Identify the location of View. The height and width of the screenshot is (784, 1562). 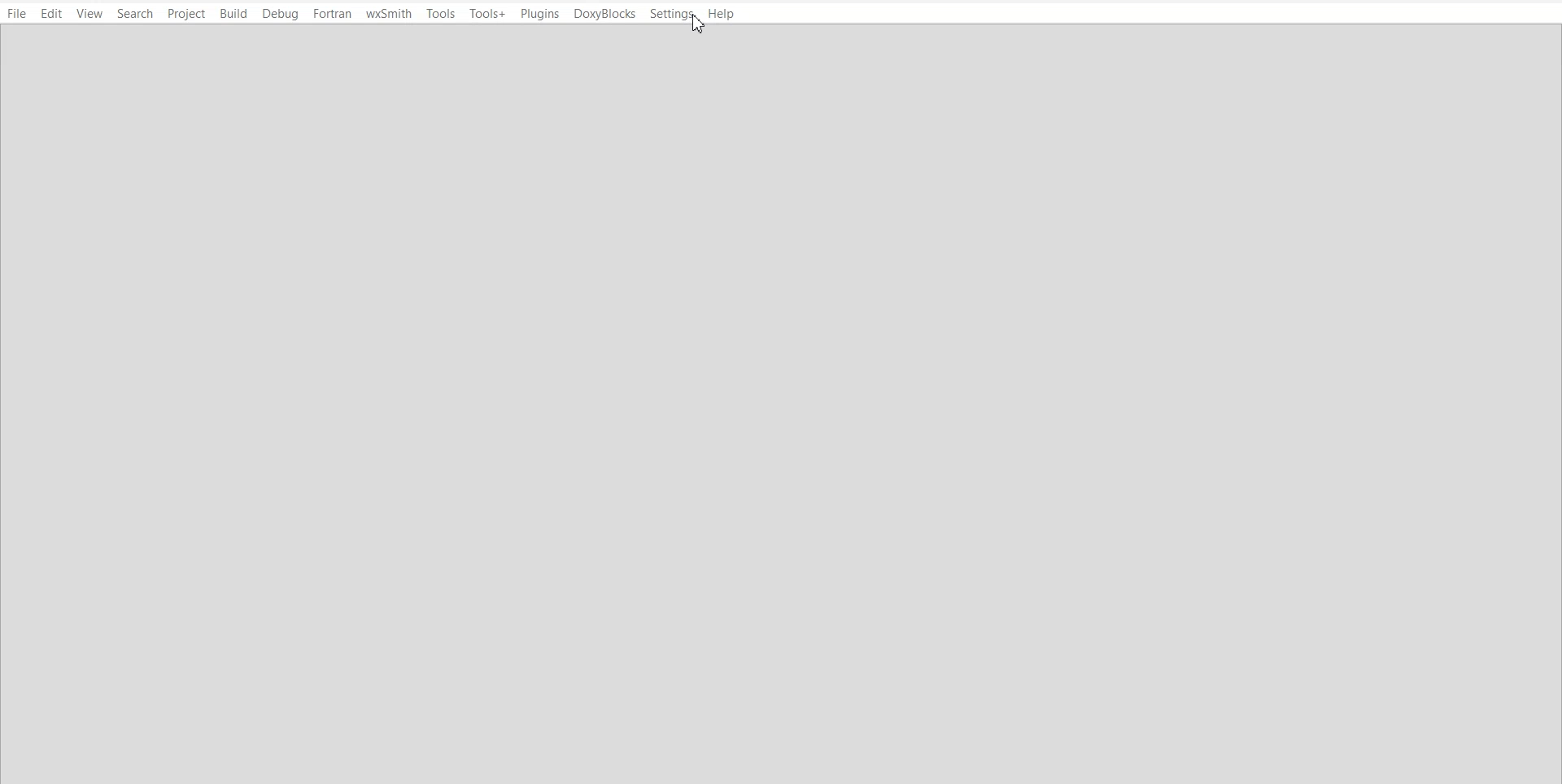
(89, 14).